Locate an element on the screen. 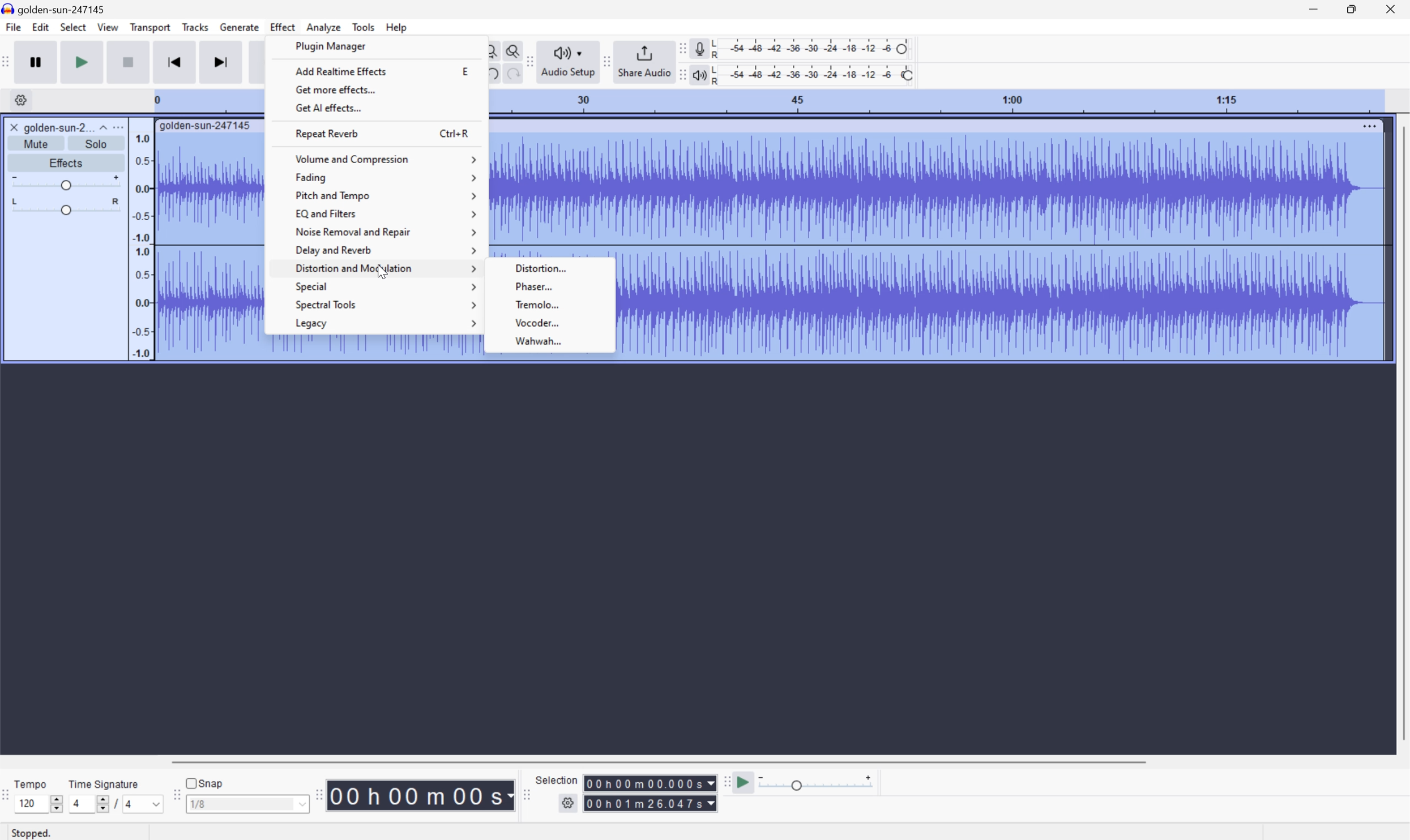 This screenshot has height=840, width=1410. Add realtime effects is located at coordinates (339, 70).